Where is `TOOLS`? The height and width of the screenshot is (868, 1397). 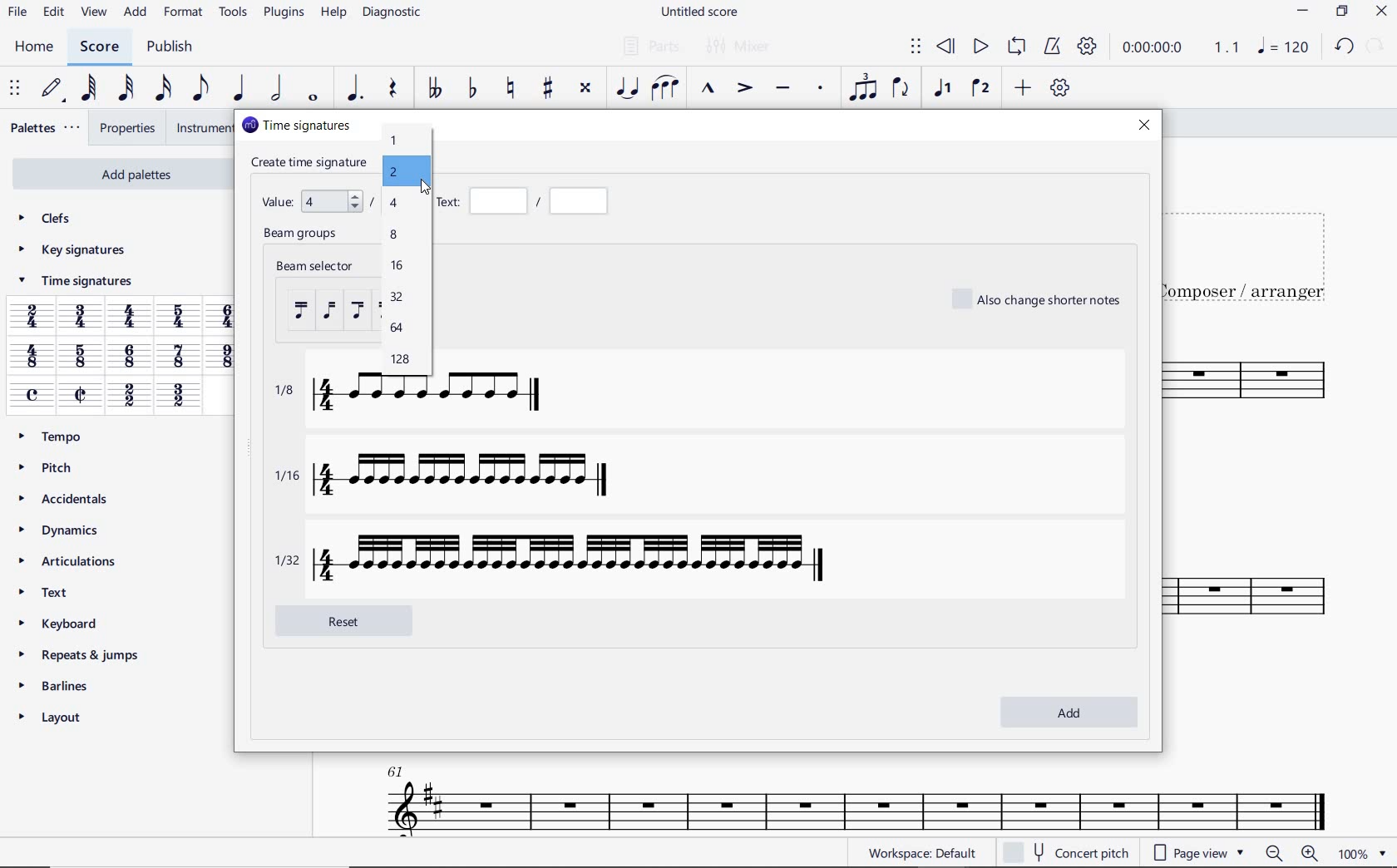 TOOLS is located at coordinates (230, 12).